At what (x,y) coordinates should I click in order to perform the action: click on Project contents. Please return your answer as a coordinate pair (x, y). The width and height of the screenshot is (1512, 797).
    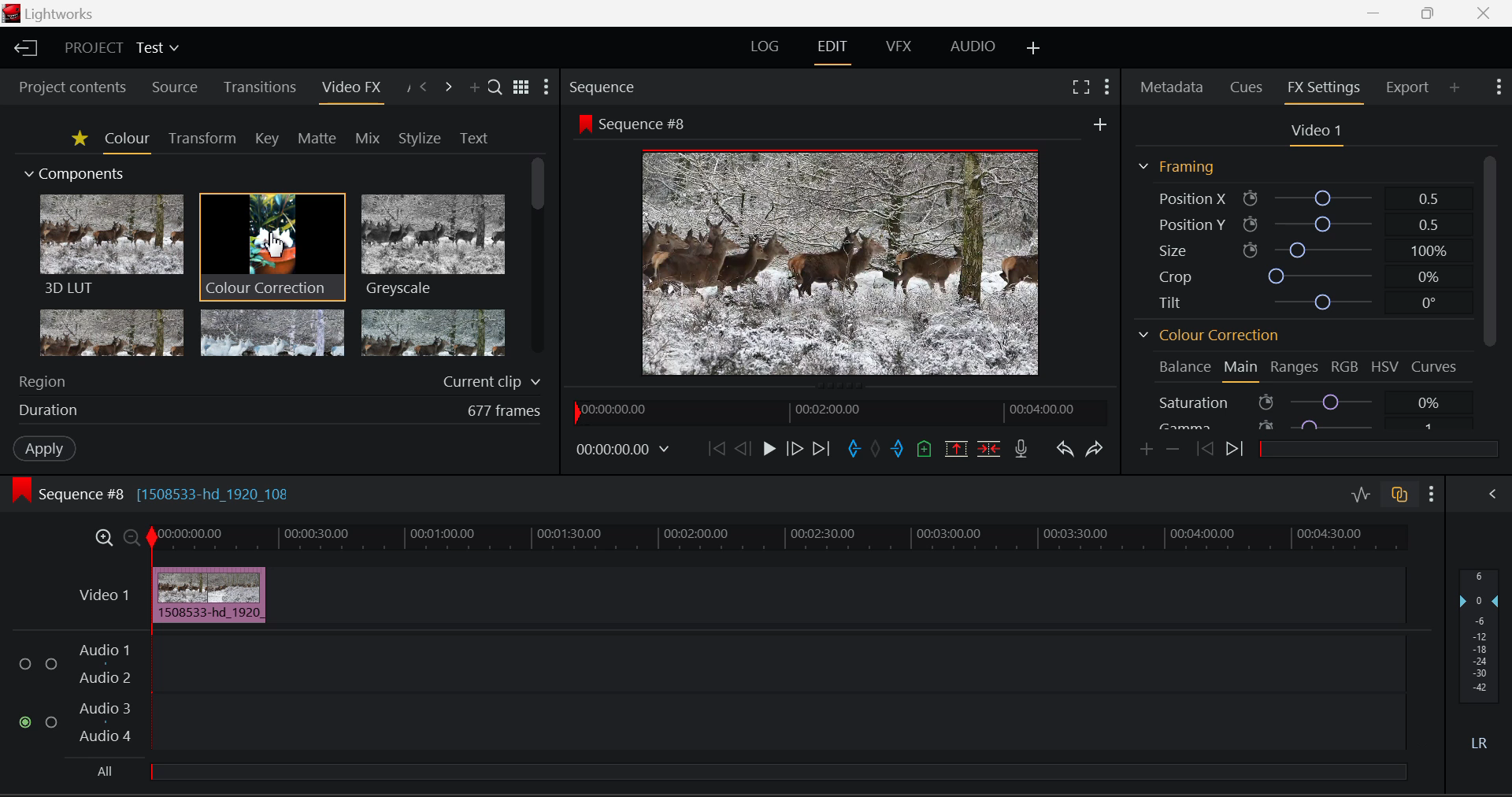
    Looking at the image, I should click on (67, 86).